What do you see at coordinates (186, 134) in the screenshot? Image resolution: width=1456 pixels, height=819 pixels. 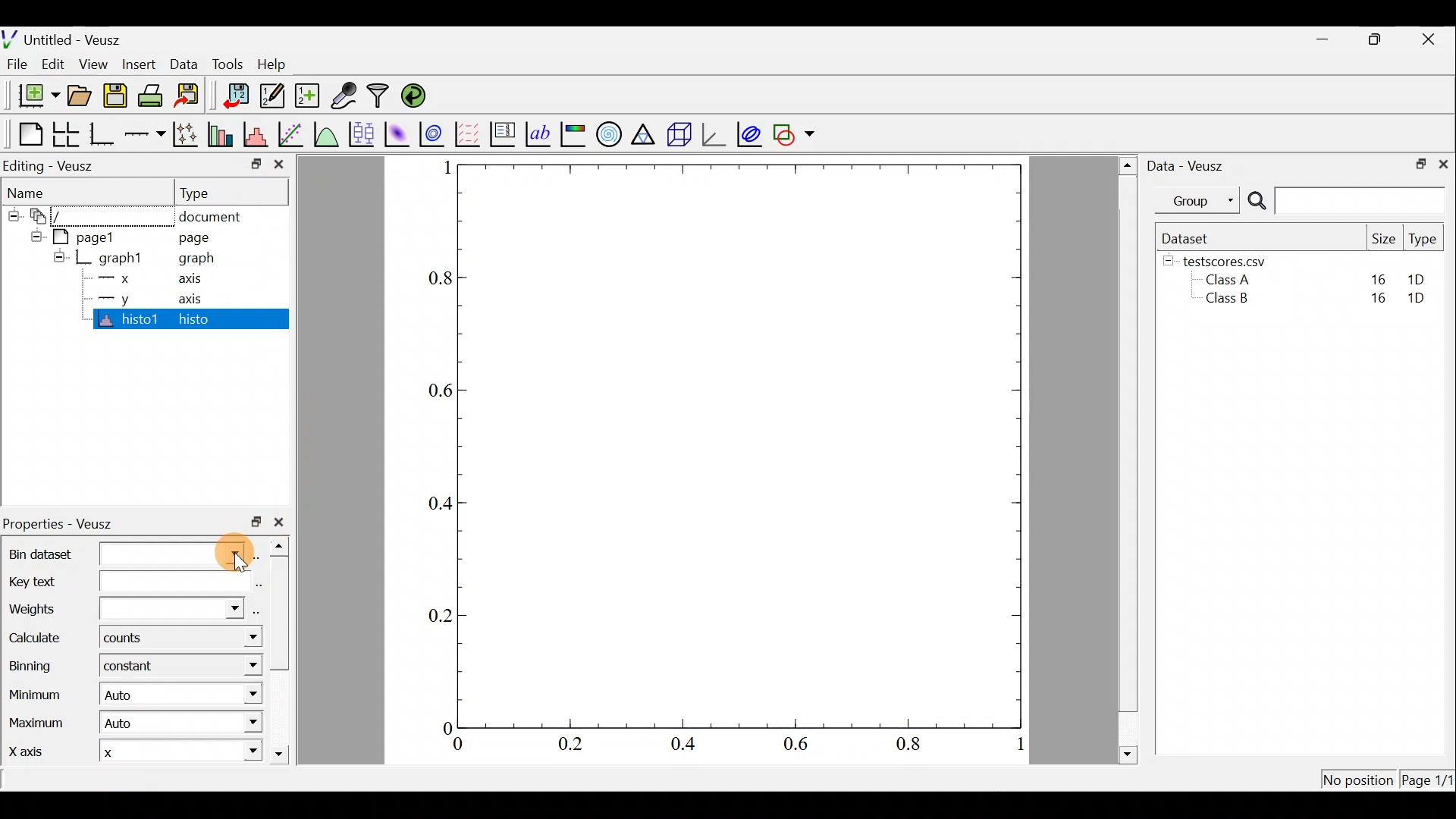 I see `Plot points with lines and error bars` at bounding box center [186, 134].